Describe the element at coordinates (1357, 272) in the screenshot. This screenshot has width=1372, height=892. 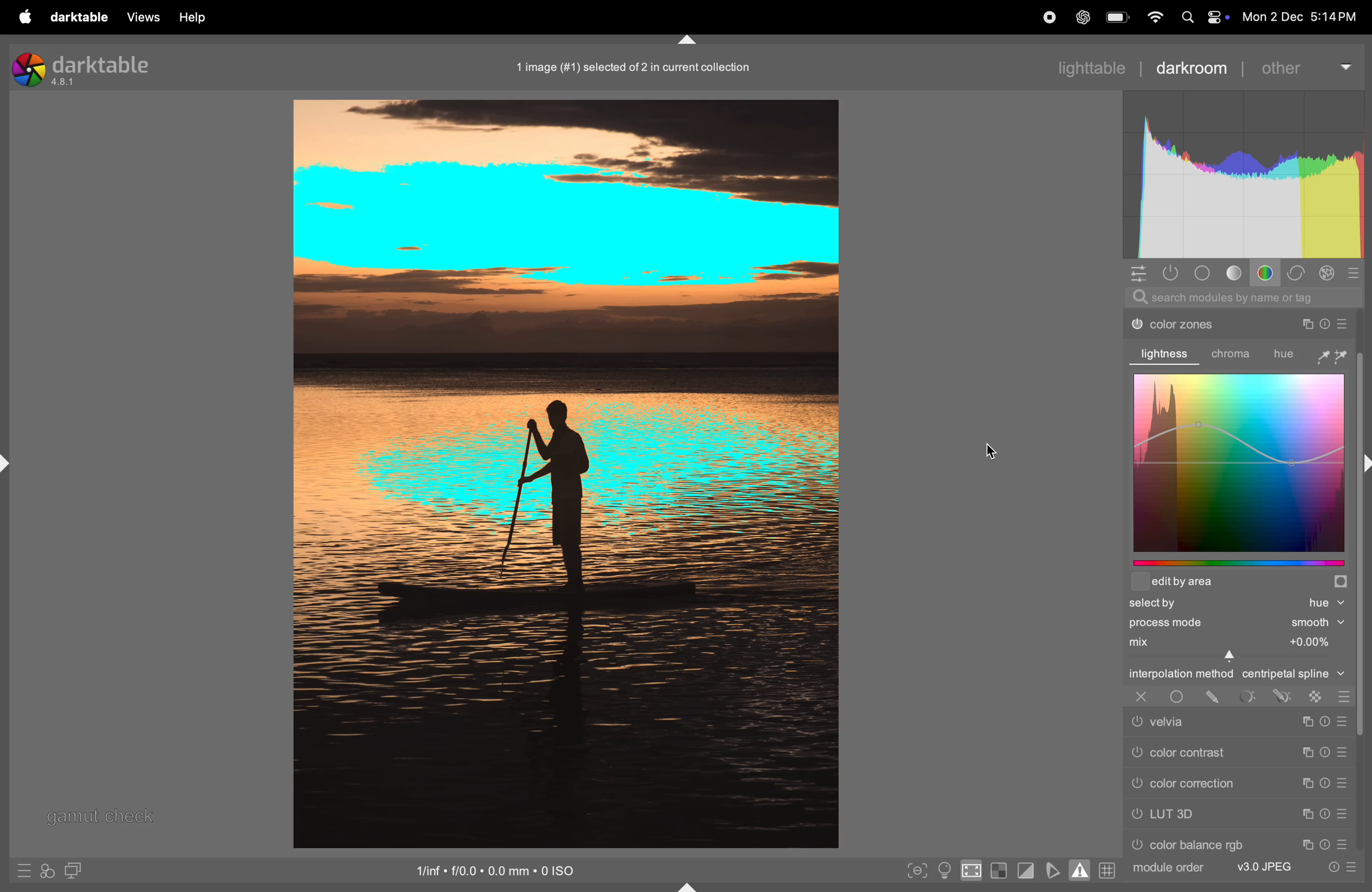
I see `` at that location.